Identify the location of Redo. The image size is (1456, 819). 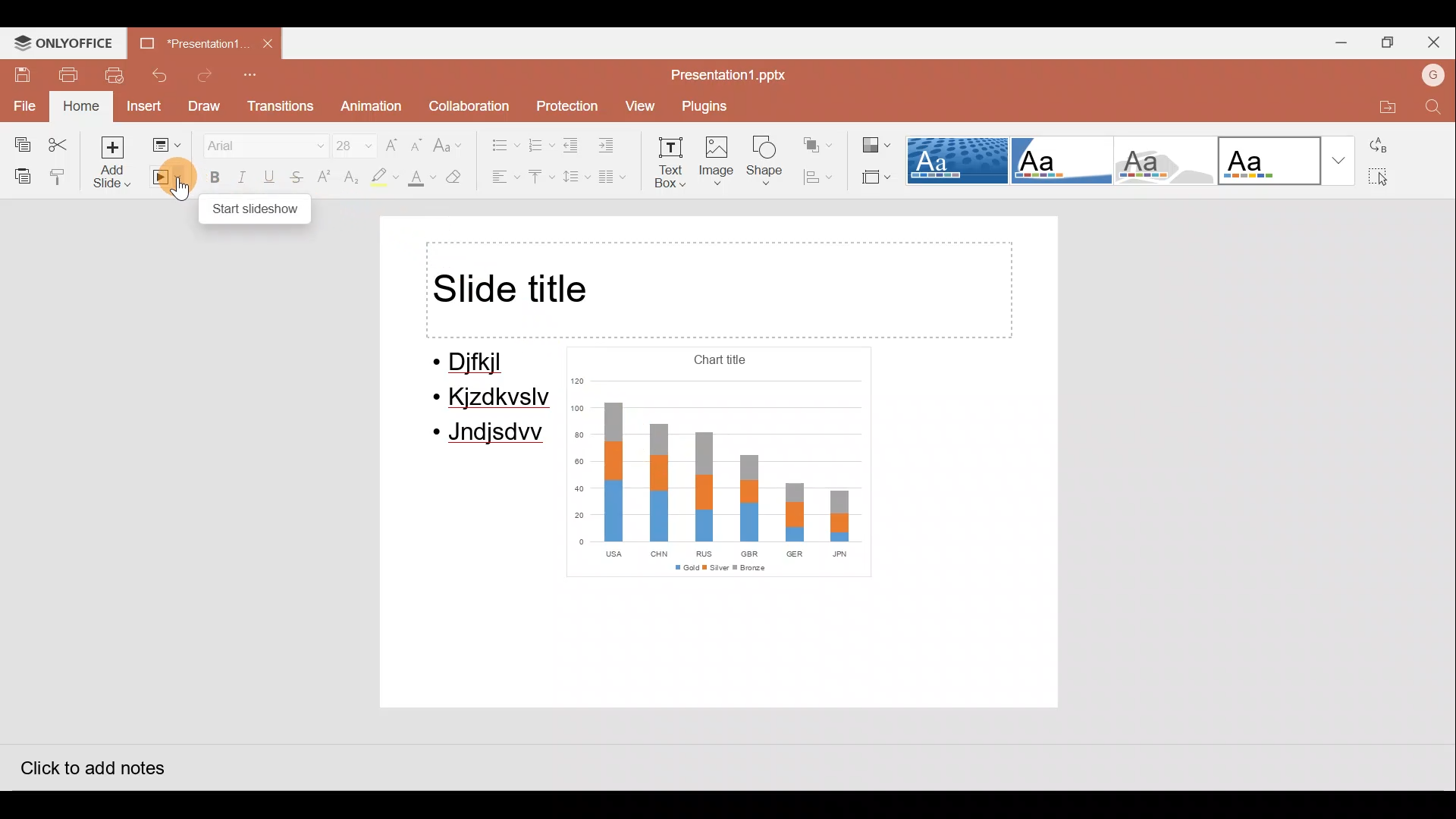
(206, 75).